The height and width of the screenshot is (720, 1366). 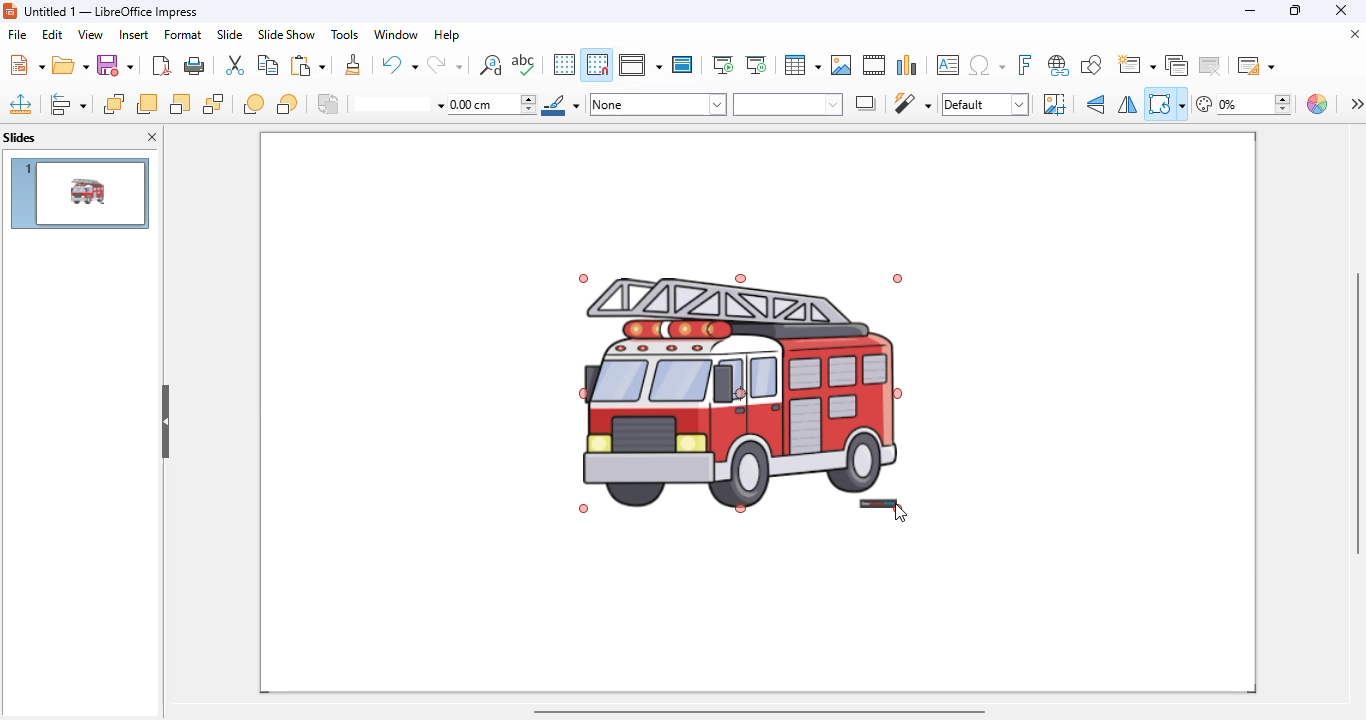 I want to click on duplicate slide, so click(x=1177, y=65).